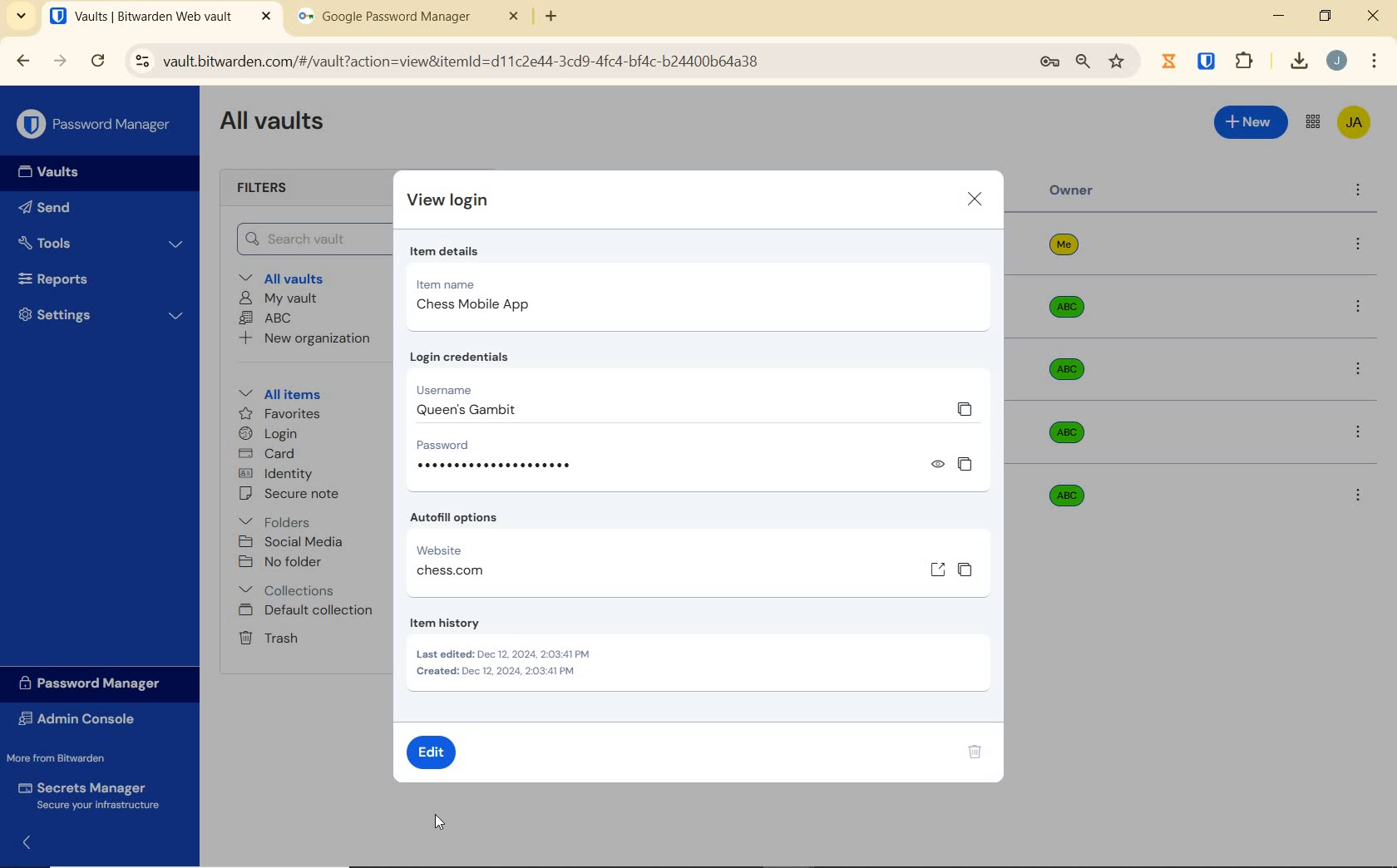 The width and height of the screenshot is (1397, 868). What do you see at coordinates (1361, 245) in the screenshot?
I see `option` at bounding box center [1361, 245].